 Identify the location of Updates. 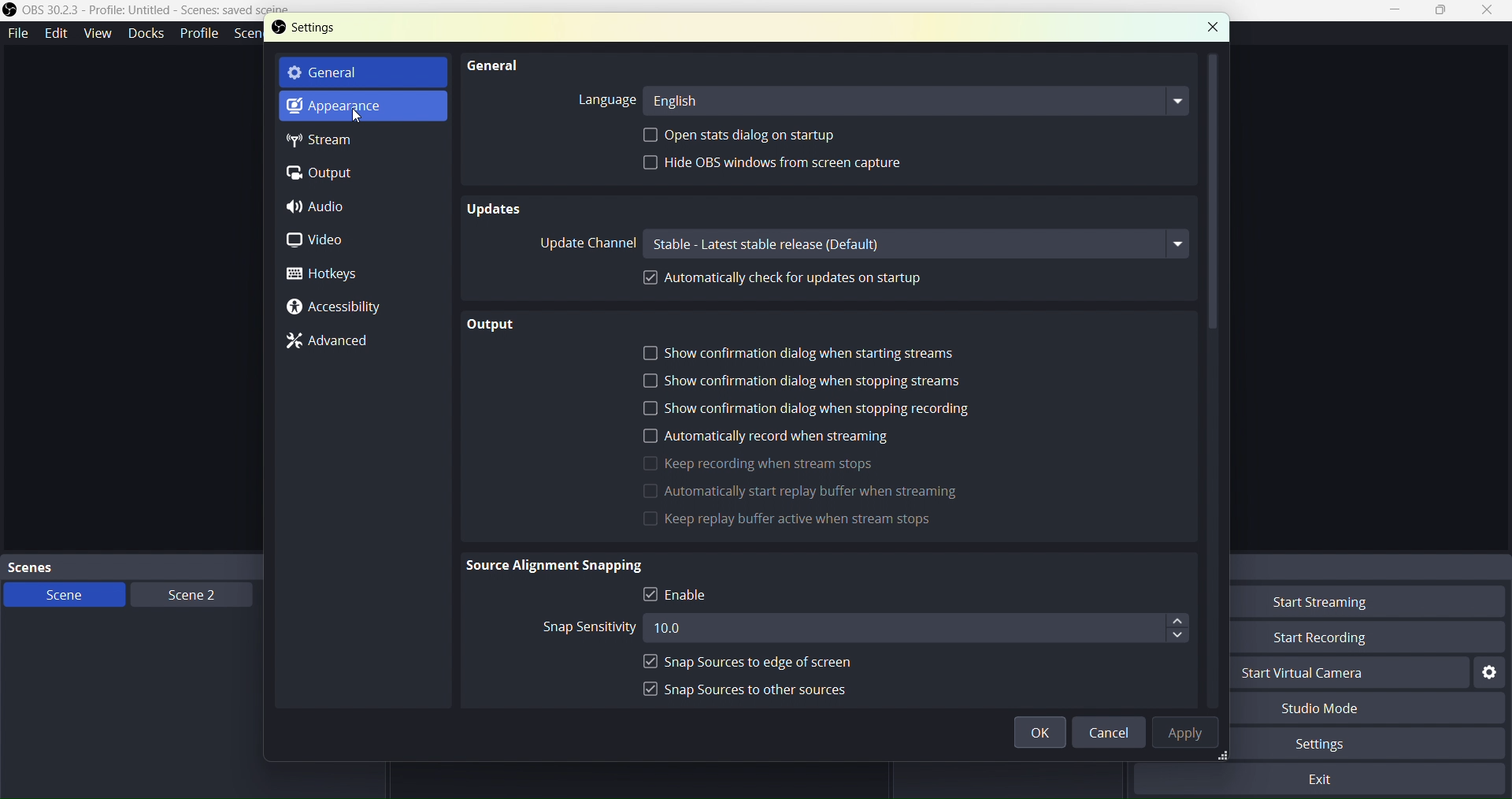
(499, 209).